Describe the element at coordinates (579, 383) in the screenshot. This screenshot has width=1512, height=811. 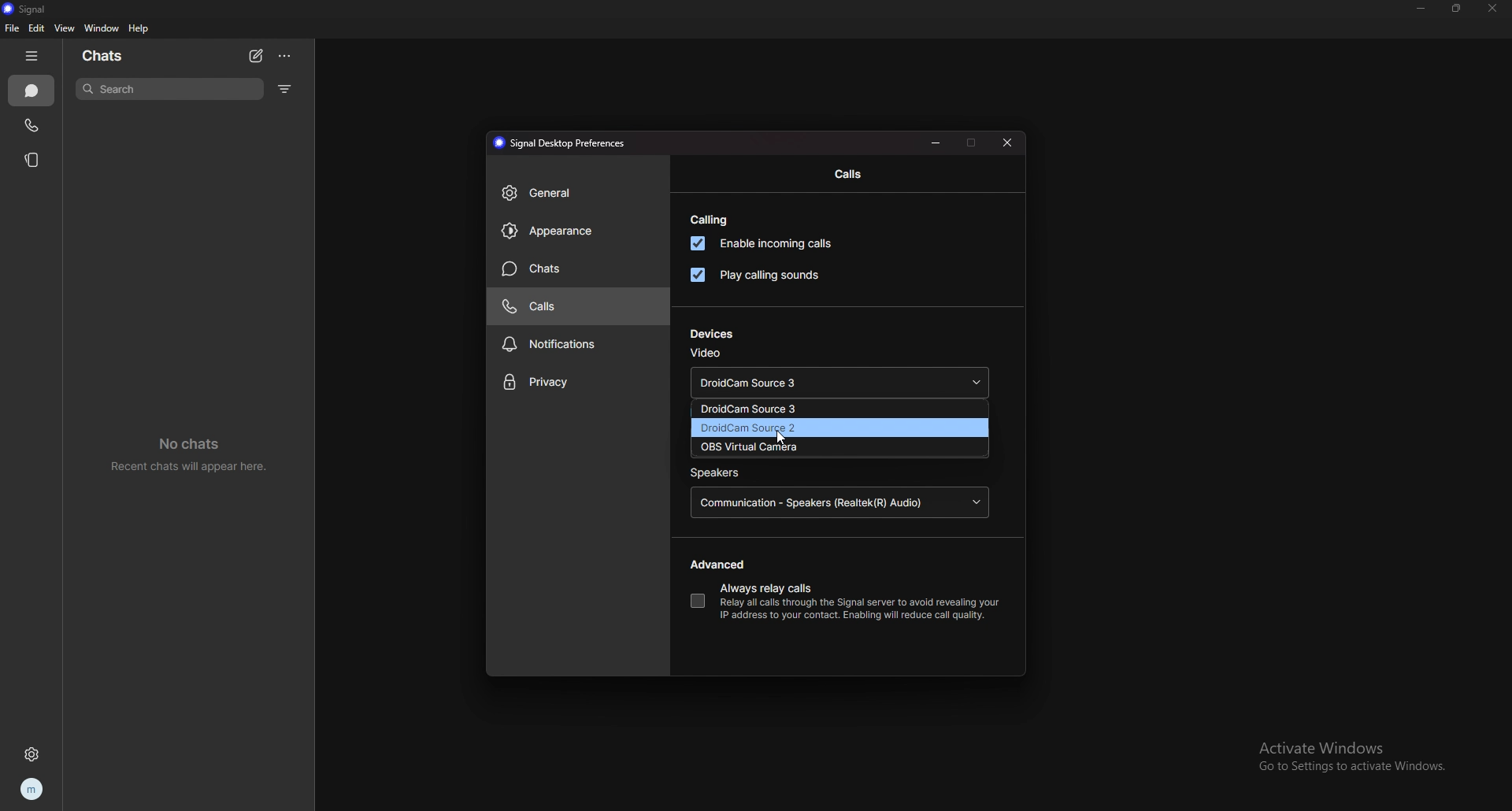
I see `priavcy` at that location.